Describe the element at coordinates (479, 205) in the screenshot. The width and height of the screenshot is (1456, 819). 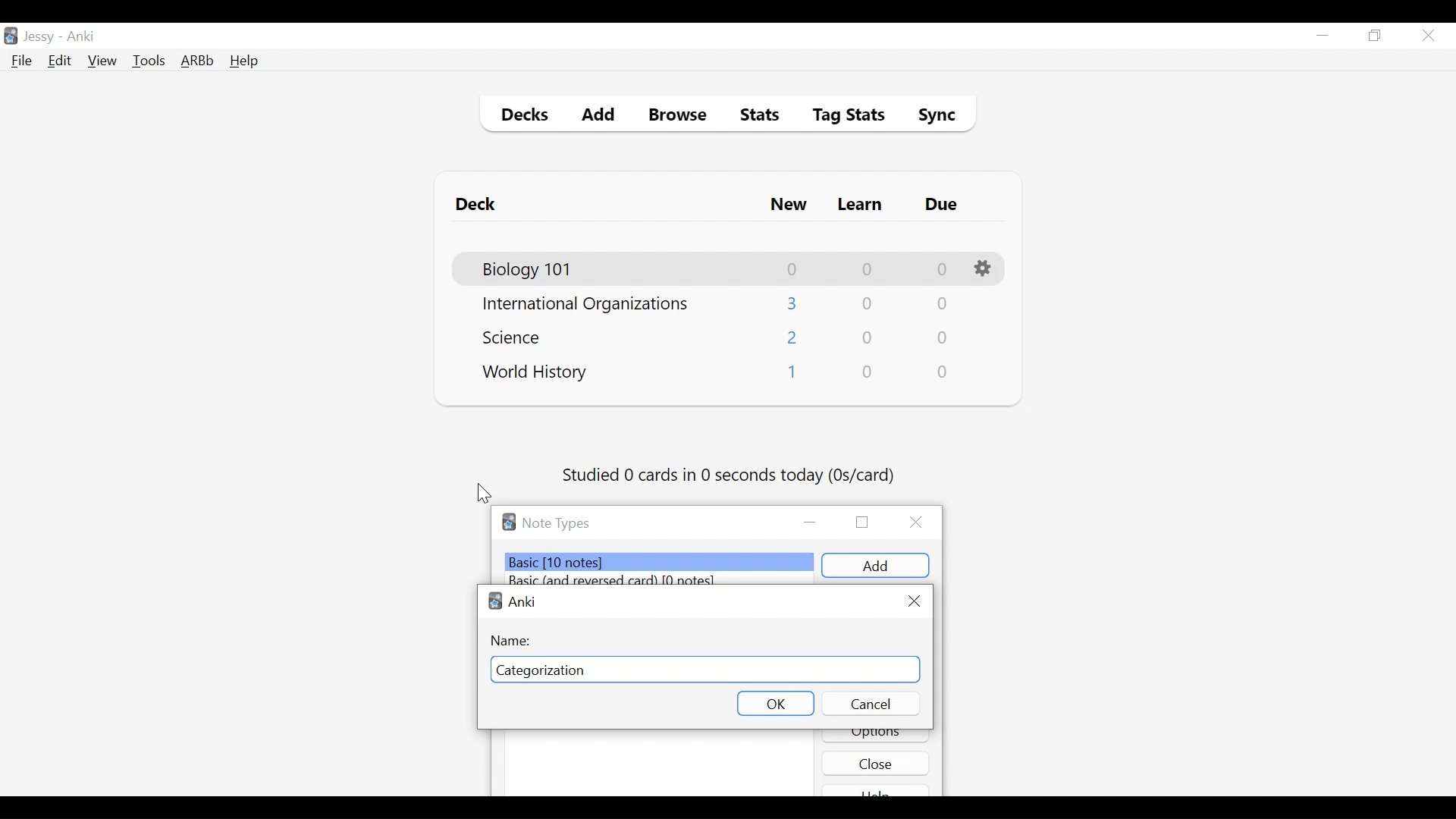
I see `Deck` at that location.